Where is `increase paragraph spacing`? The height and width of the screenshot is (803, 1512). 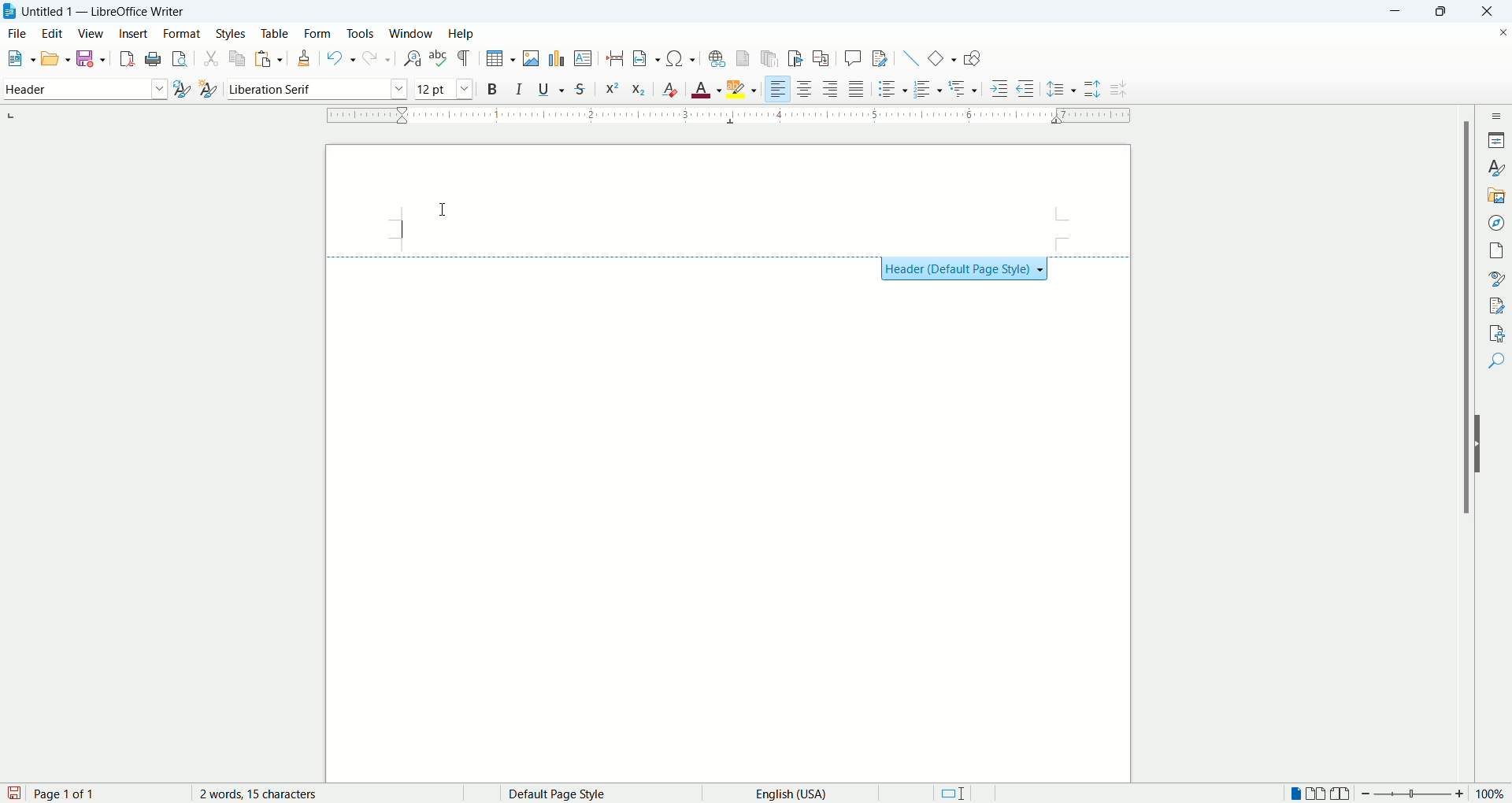 increase paragraph spacing is located at coordinates (1094, 89).